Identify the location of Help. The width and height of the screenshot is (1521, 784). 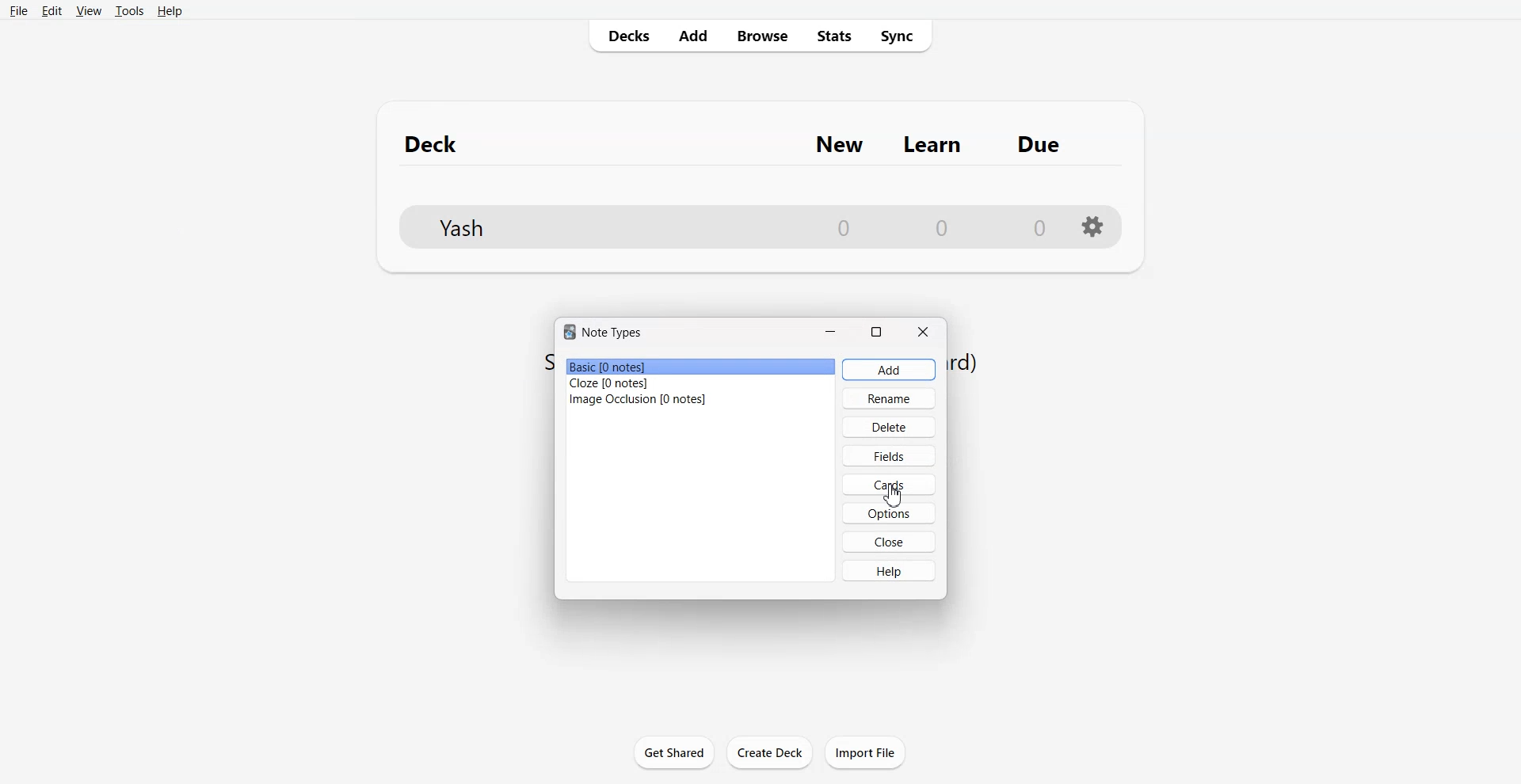
(890, 569).